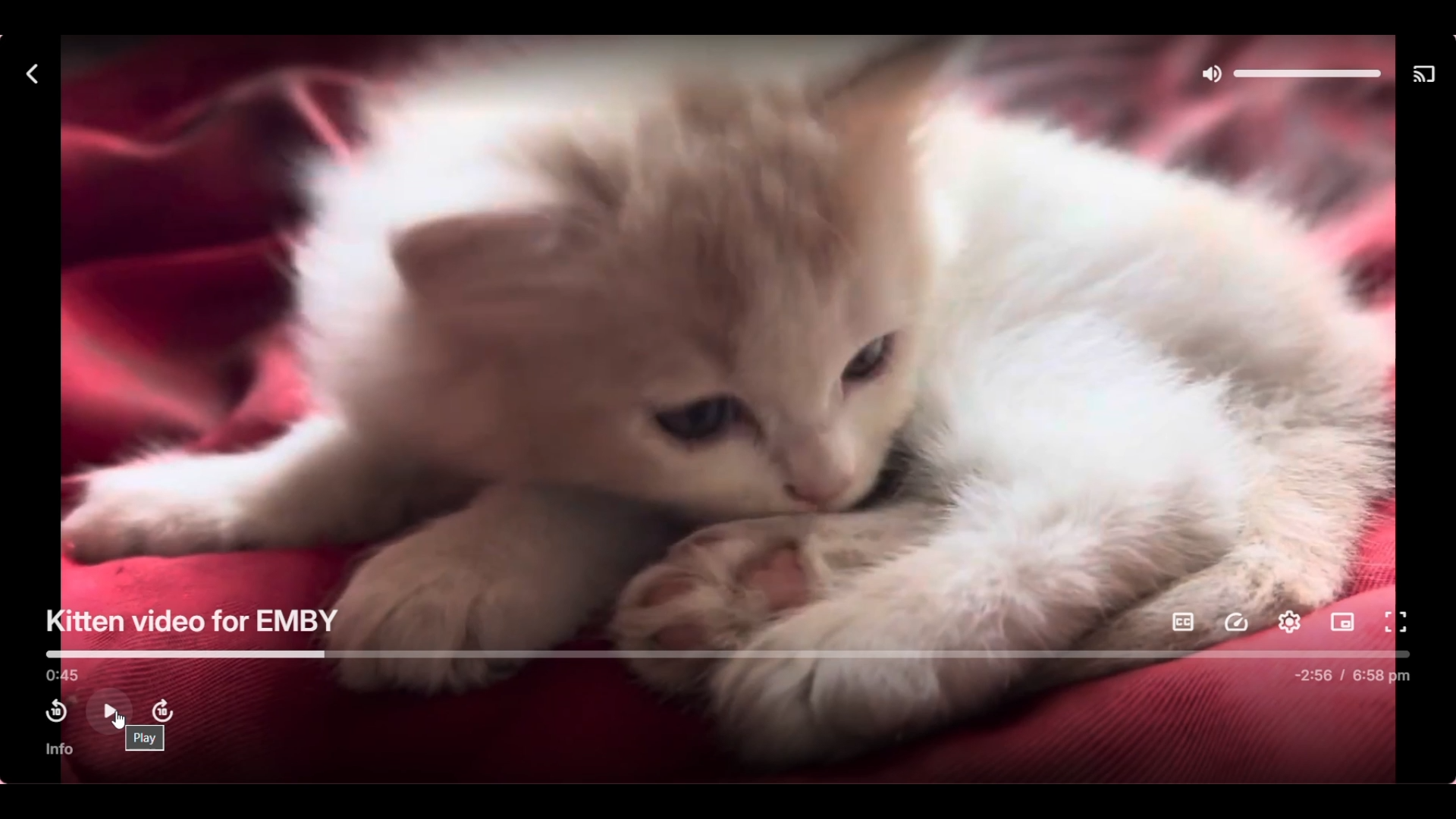 The width and height of the screenshot is (1456, 819). Describe the element at coordinates (60, 676) in the screenshot. I see `Current time stamp of video 0:43` at that location.